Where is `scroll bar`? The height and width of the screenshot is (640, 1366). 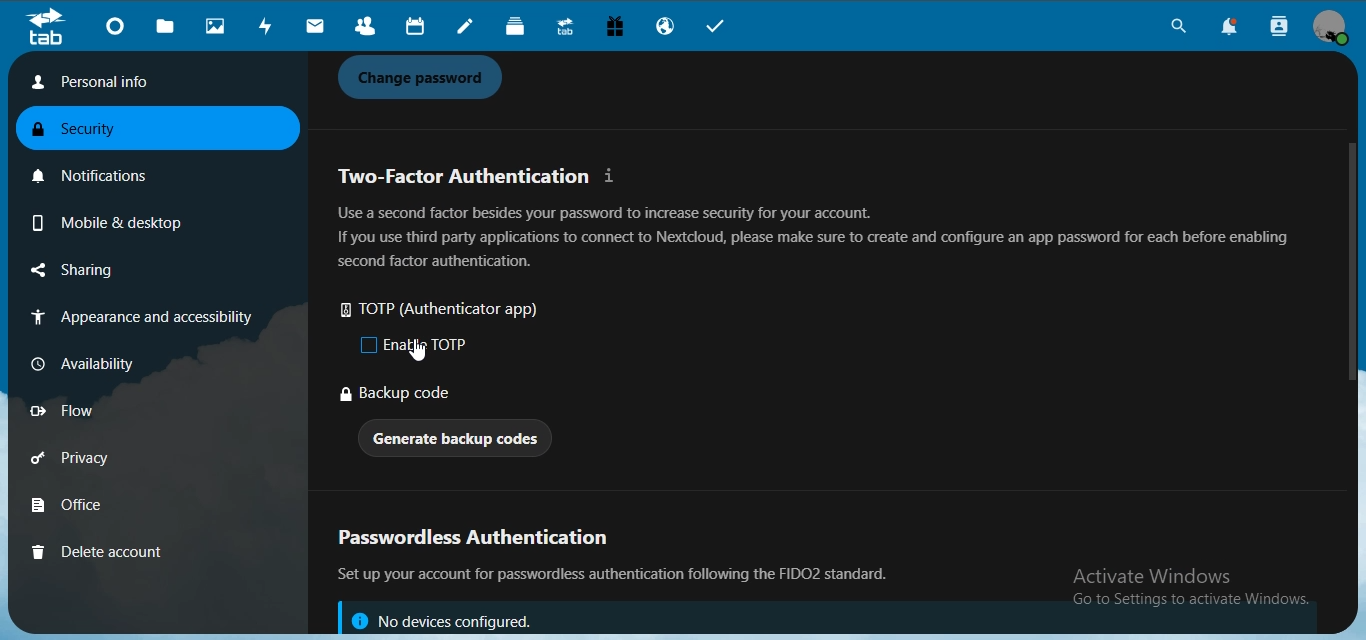 scroll bar is located at coordinates (1346, 260).